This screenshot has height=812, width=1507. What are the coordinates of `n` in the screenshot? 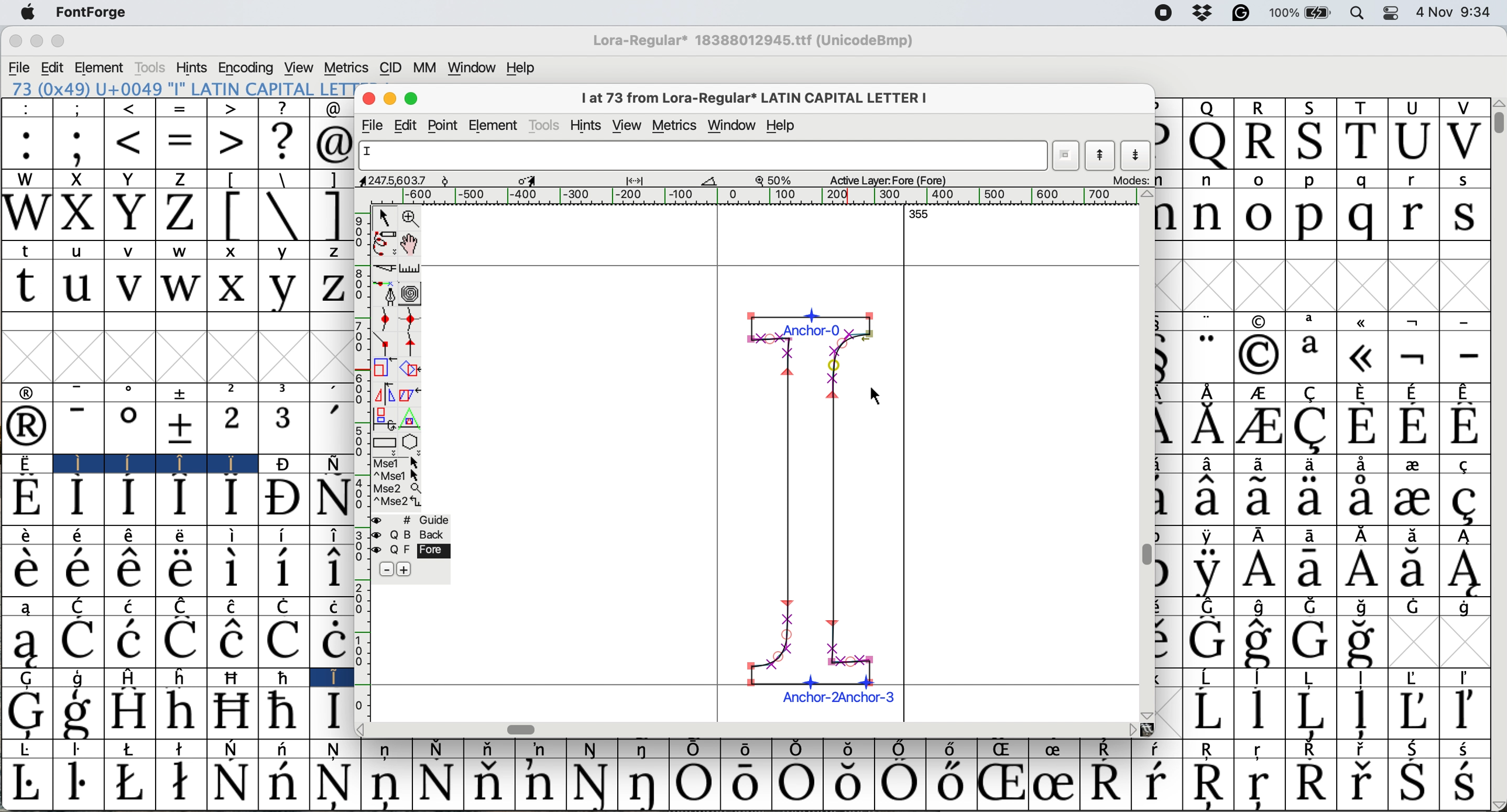 It's located at (1210, 181).